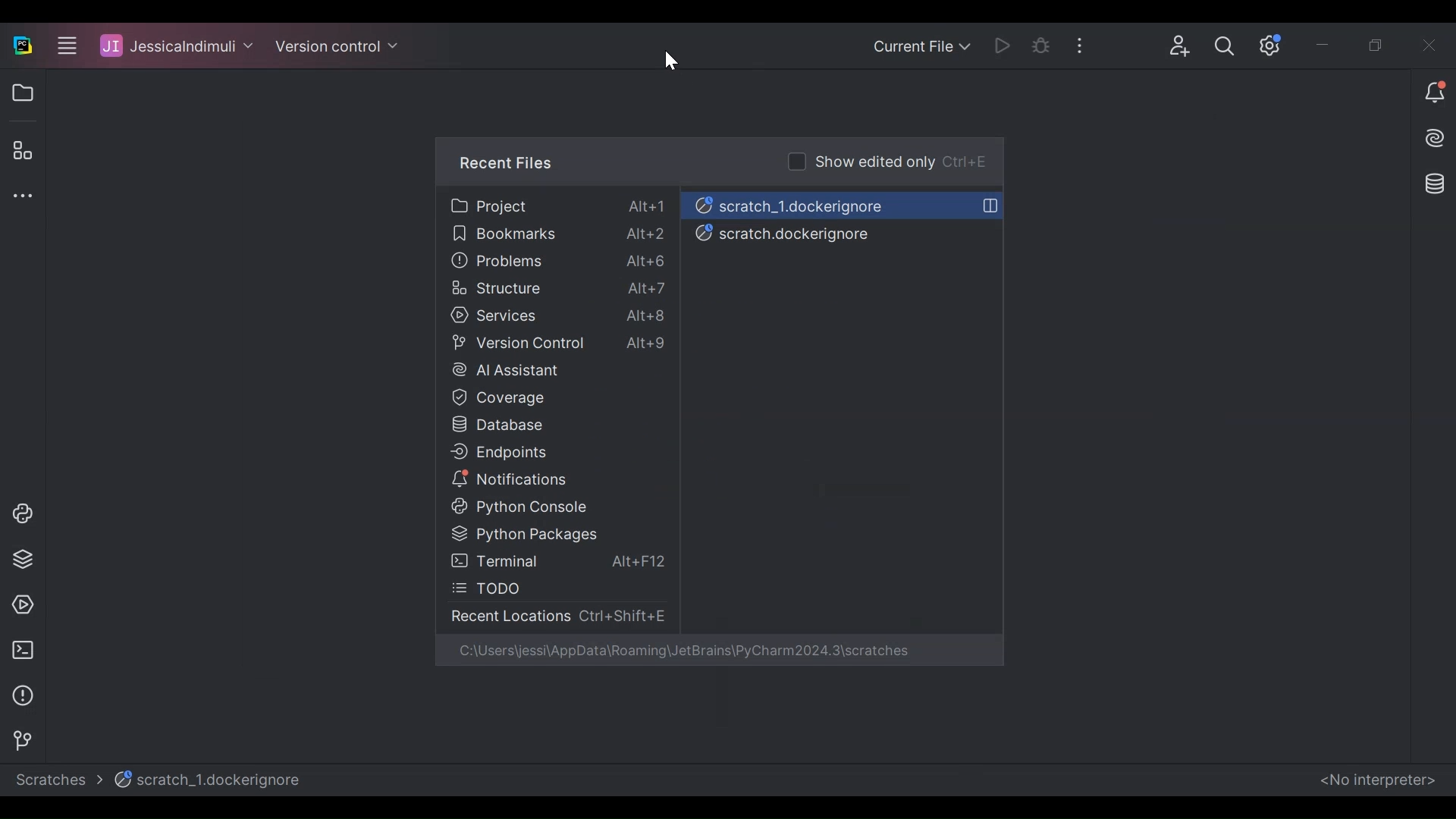 The width and height of the screenshot is (1456, 819). I want to click on , so click(1006, 46).